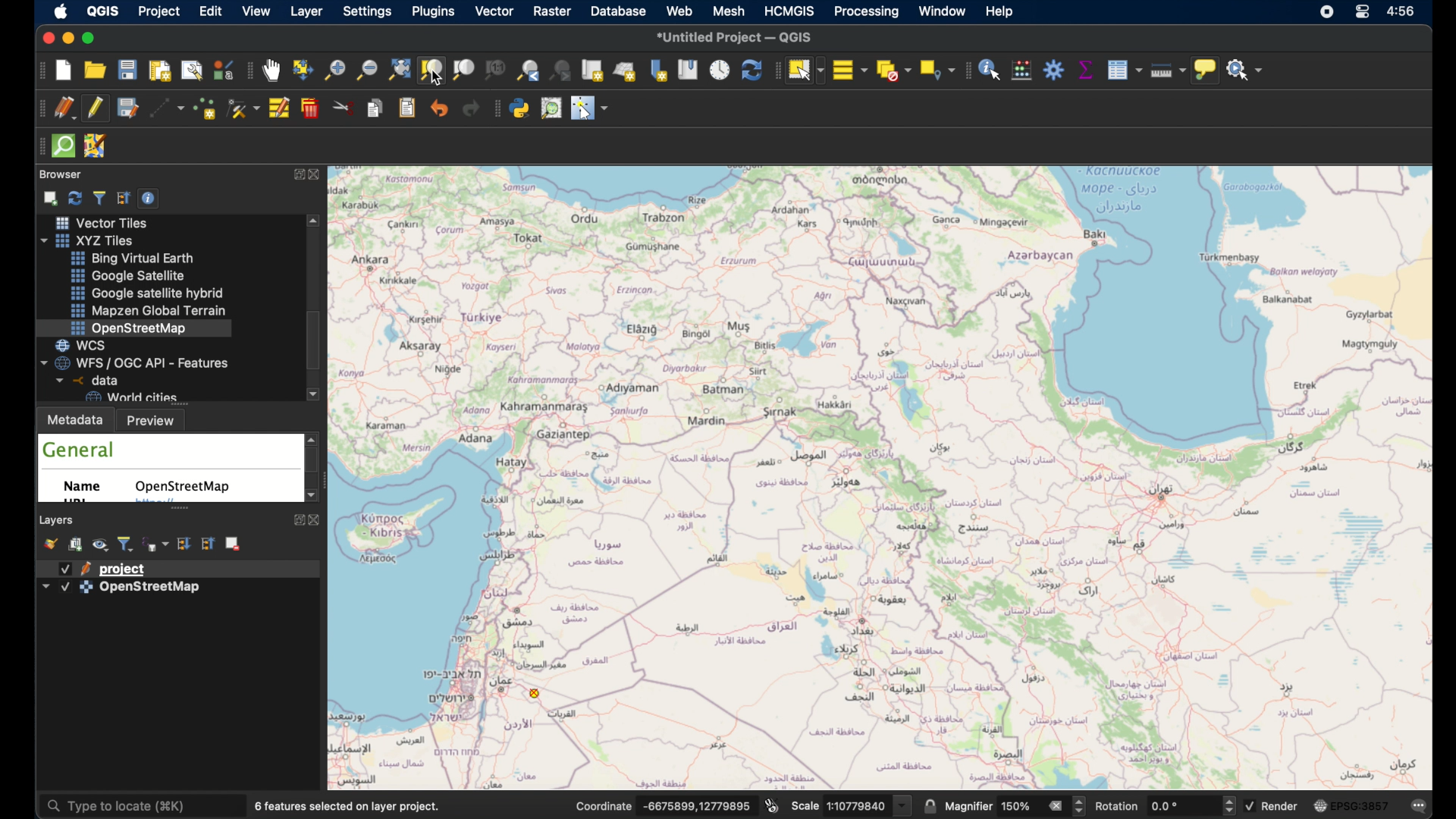  What do you see at coordinates (1164, 69) in the screenshot?
I see `measure line` at bounding box center [1164, 69].